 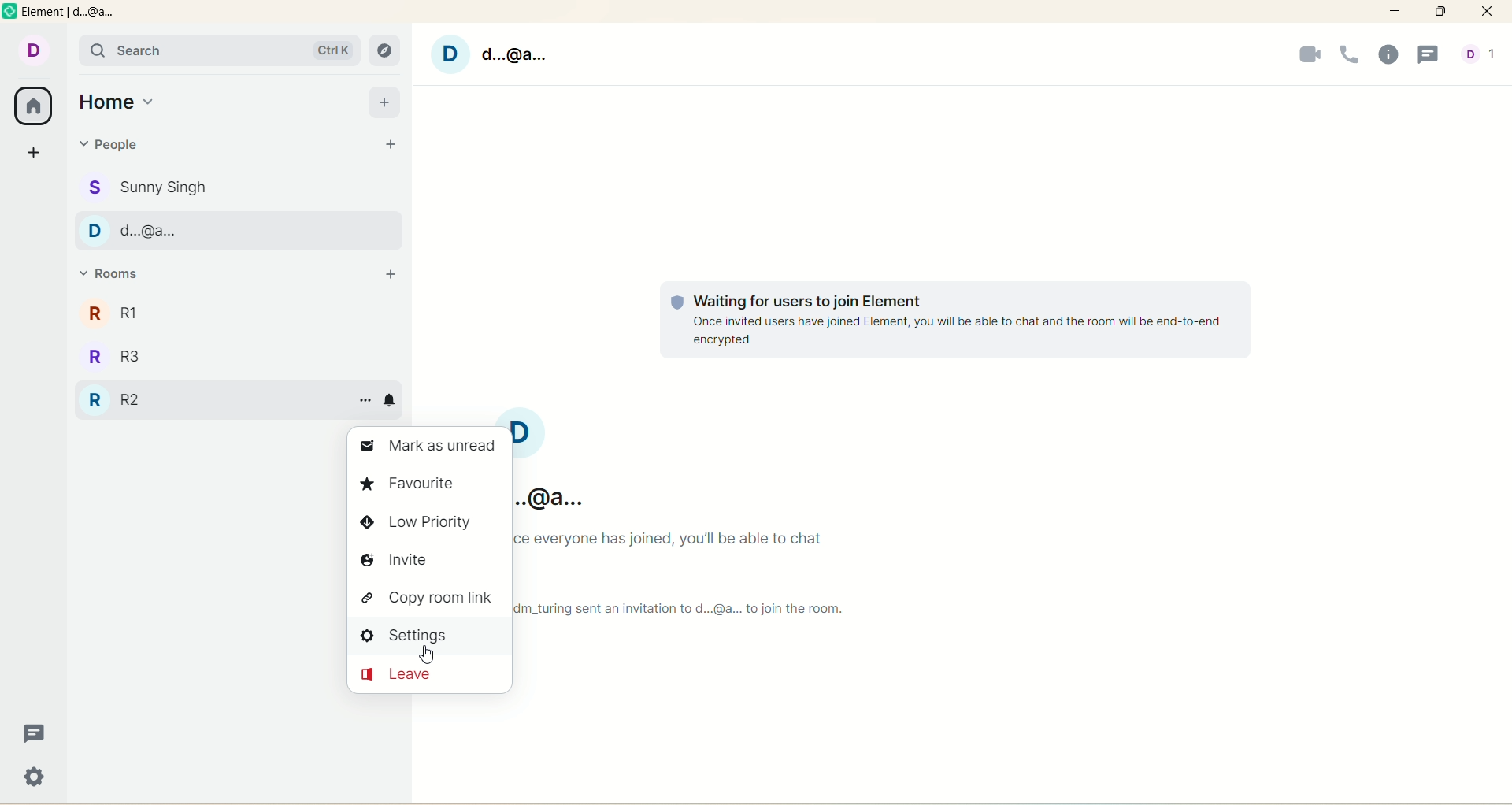 What do you see at coordinates (1490, 13) in the screenshot?
I see `close` at bounding box center [1490, 13].